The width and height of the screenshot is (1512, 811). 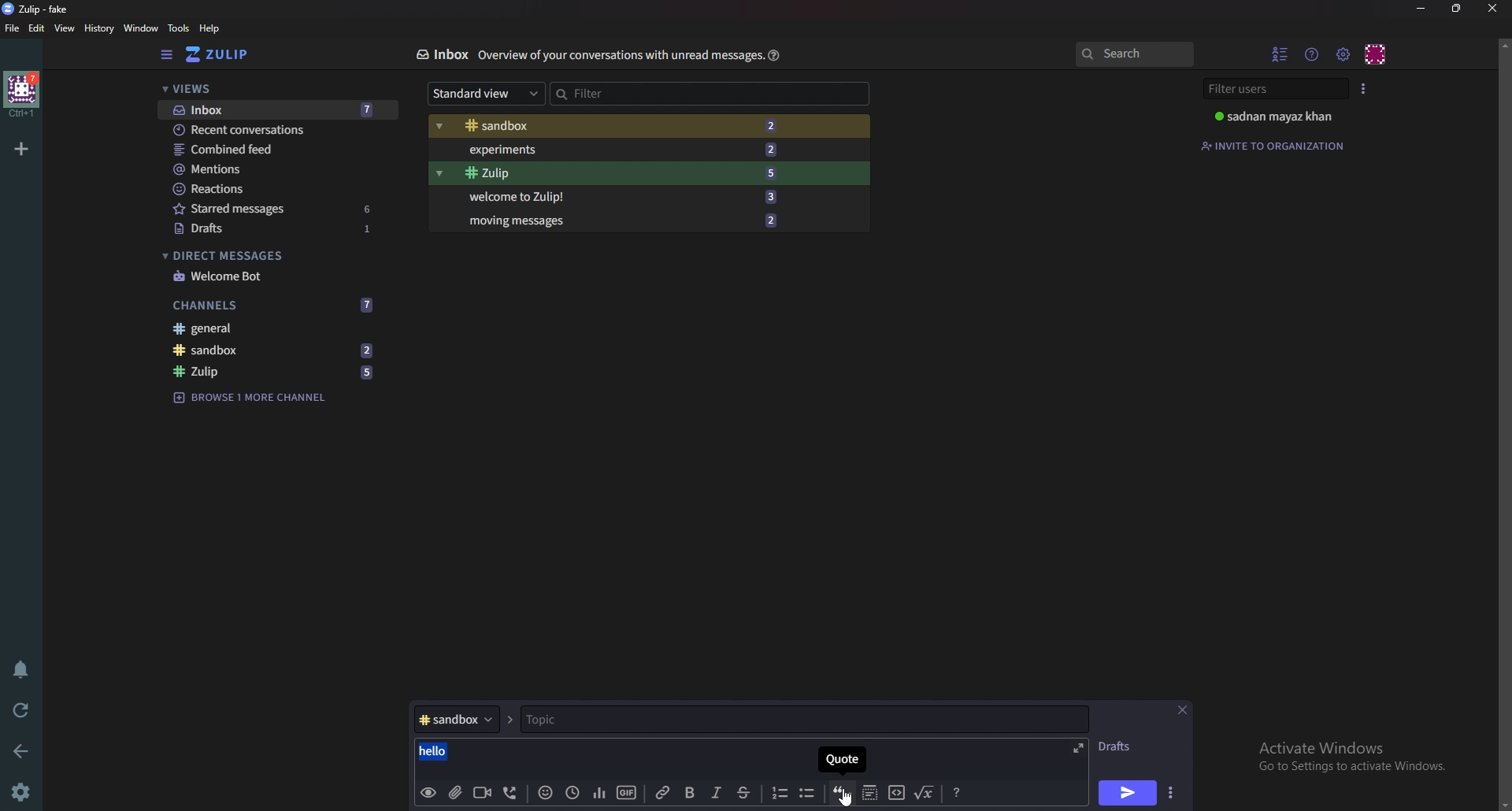 What do you see at coordinates (65, 30) in the screenshot?
I see `View` at bounding box center [65, 30].